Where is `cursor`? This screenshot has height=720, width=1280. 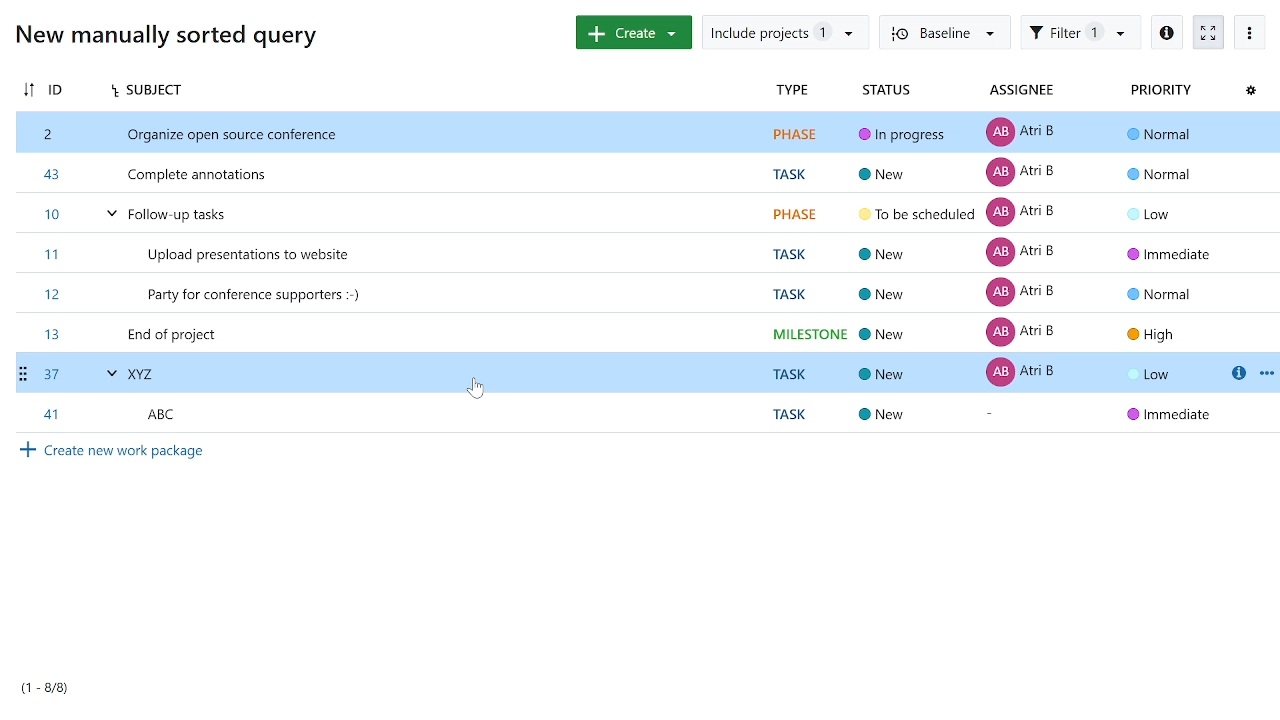 cursor is located at coordinates (474, 389).